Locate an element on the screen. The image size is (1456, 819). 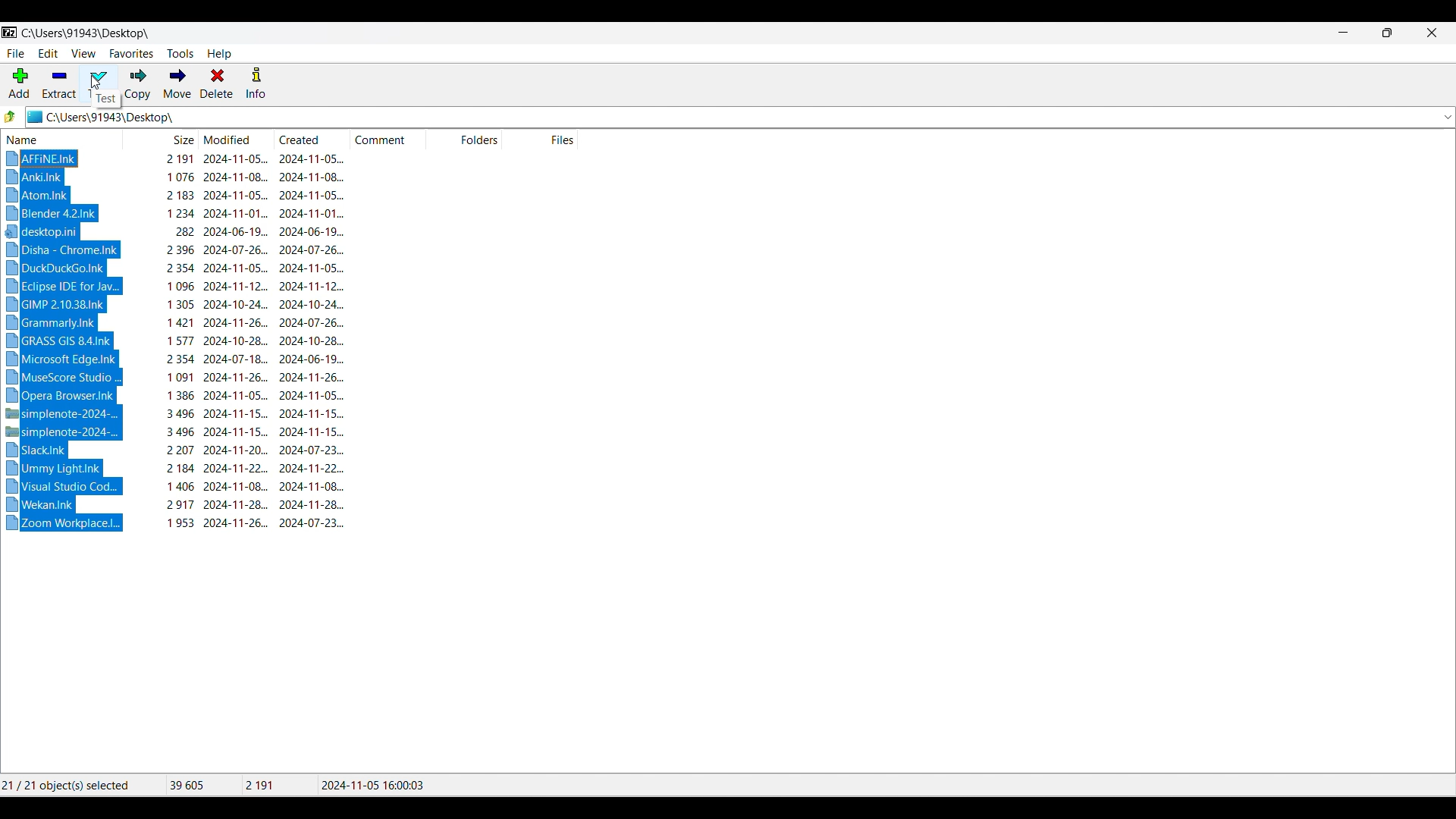
Folder creation date is located at coordinates (372, 785).